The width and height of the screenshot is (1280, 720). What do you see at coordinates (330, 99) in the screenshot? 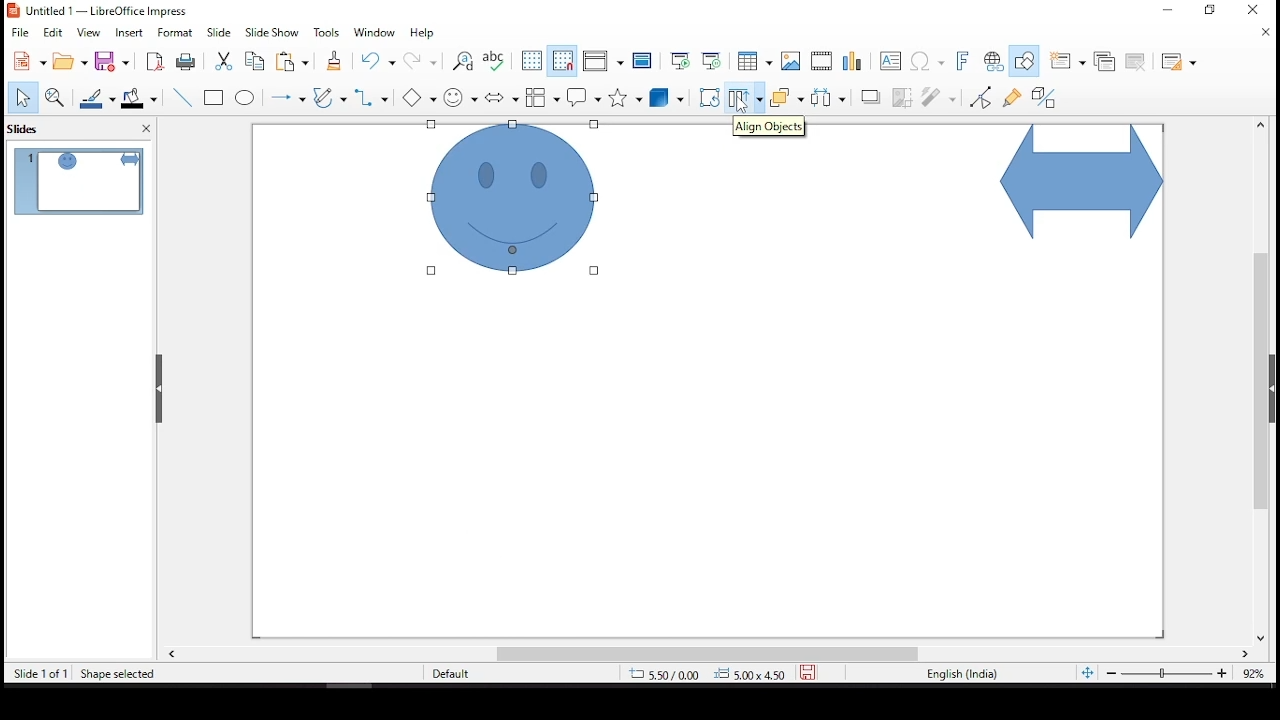
I see `curves and polygons` at bounding box center [330, 99].